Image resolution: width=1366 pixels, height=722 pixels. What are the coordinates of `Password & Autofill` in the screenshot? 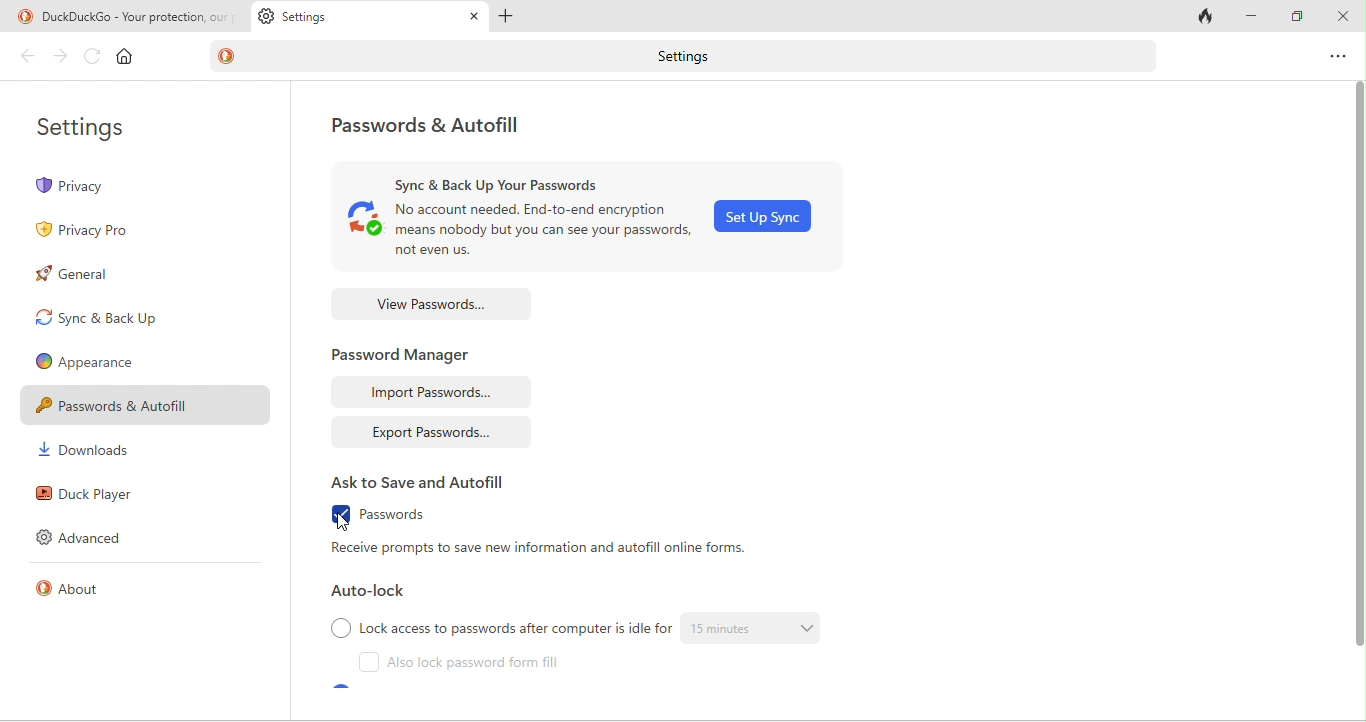 It's located at (145, 407).